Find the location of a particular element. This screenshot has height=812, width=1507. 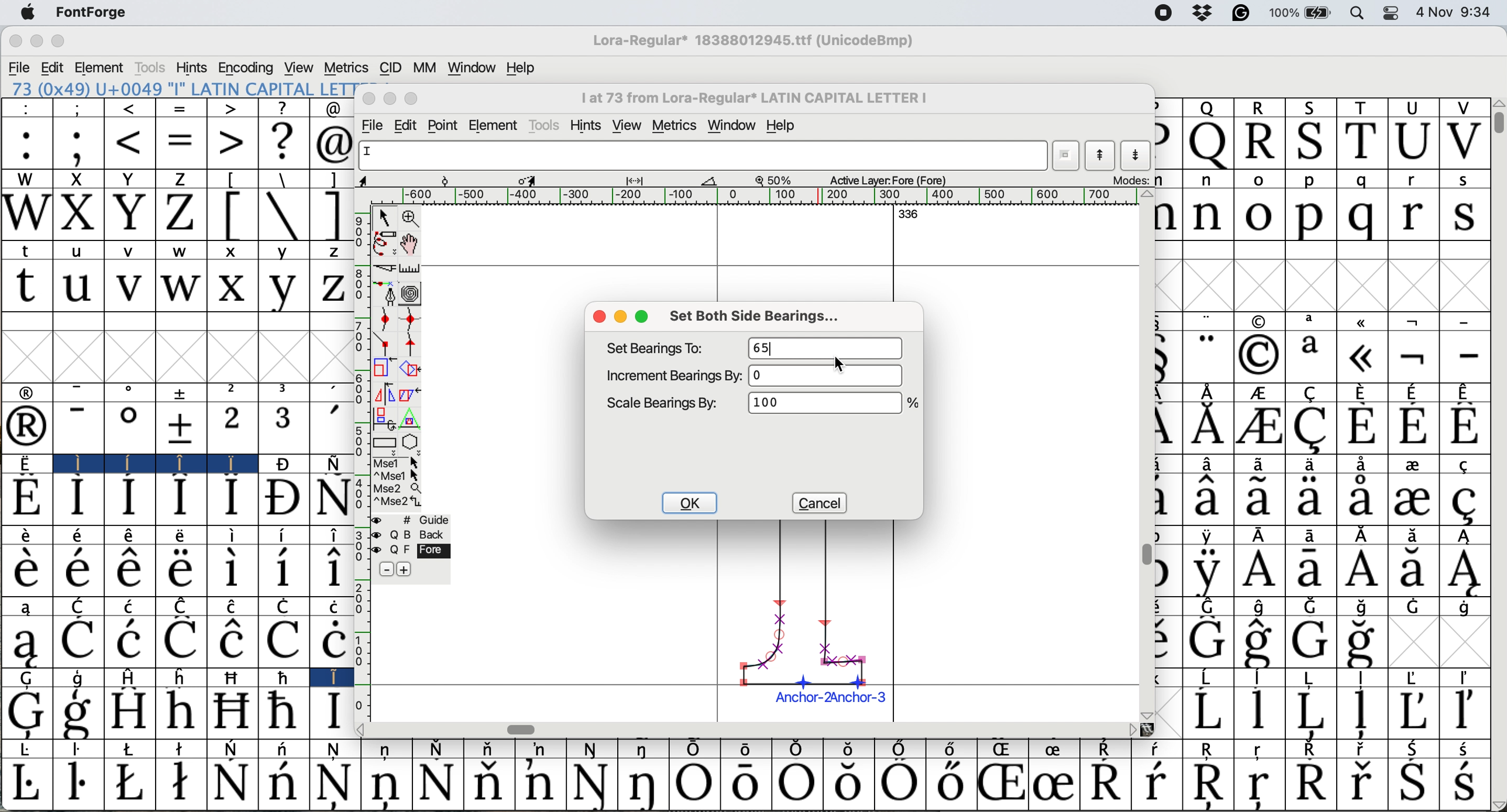

z is located at coordinates (329, 288).